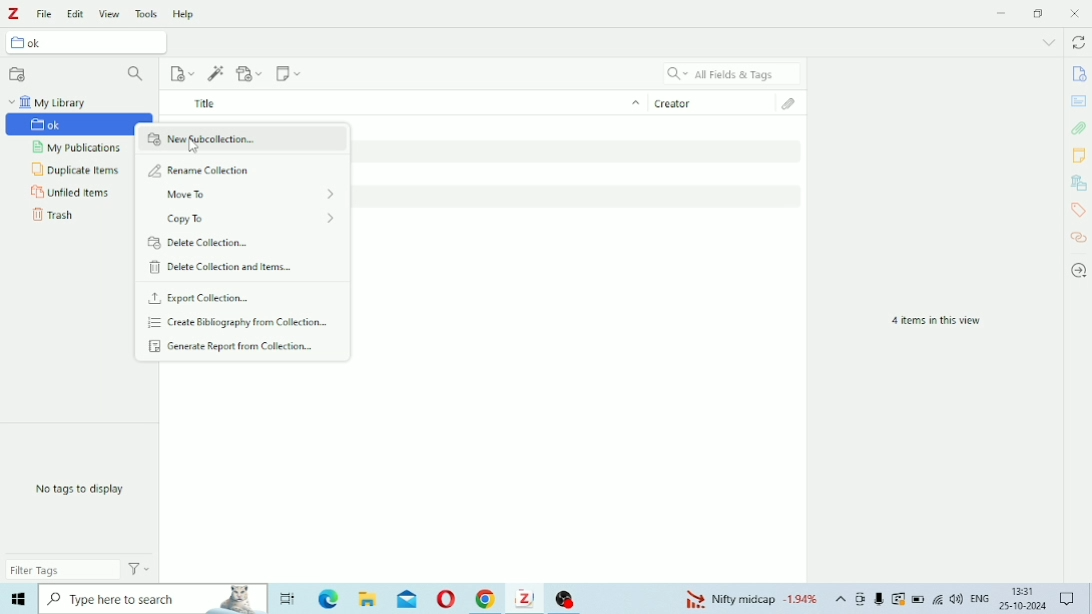 This screenshot has width=1092, height=614. I want to click on Trash, so click(55, 215).